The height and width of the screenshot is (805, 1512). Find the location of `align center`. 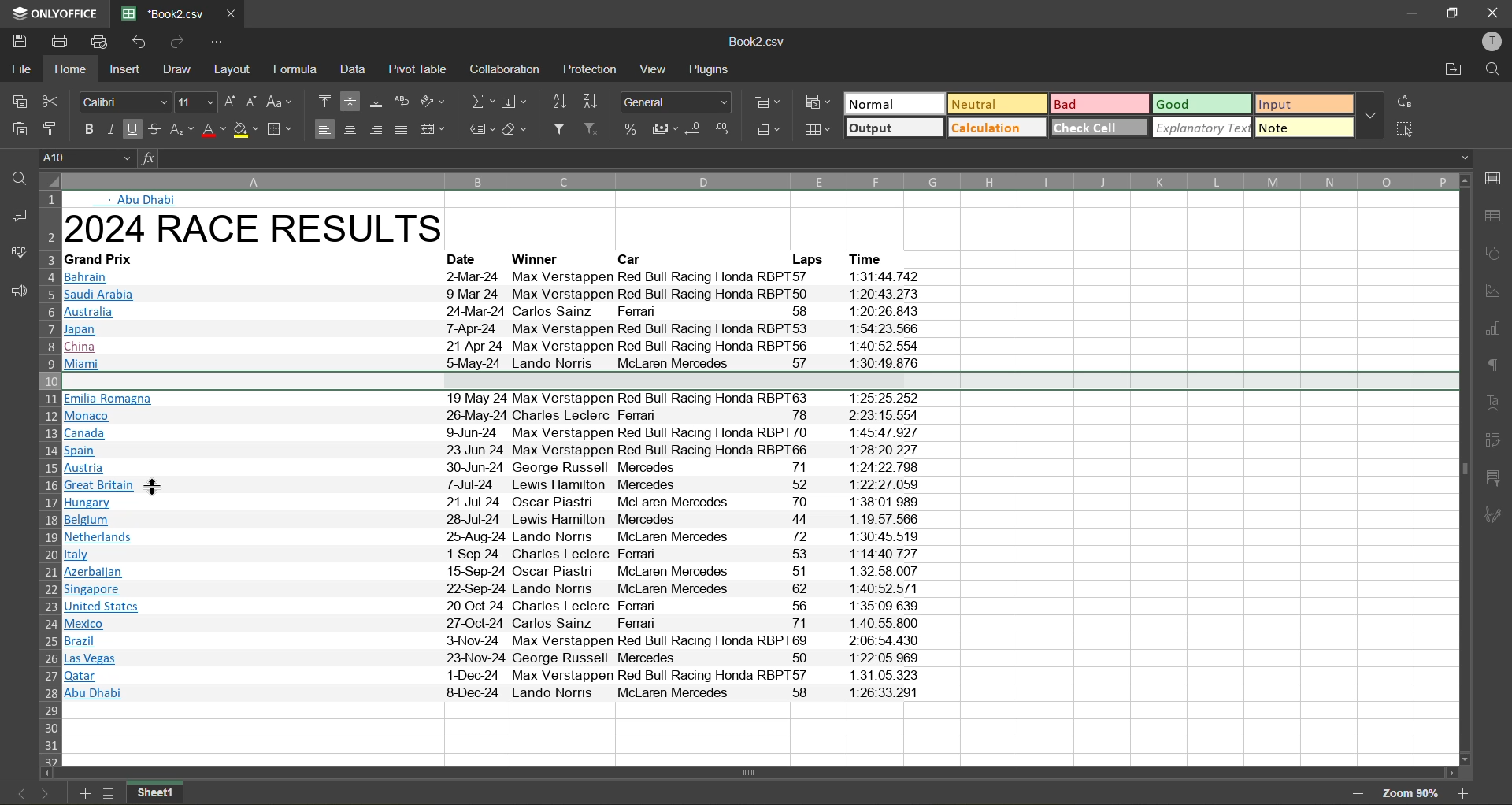

align center is located at coordinates (349, 129).